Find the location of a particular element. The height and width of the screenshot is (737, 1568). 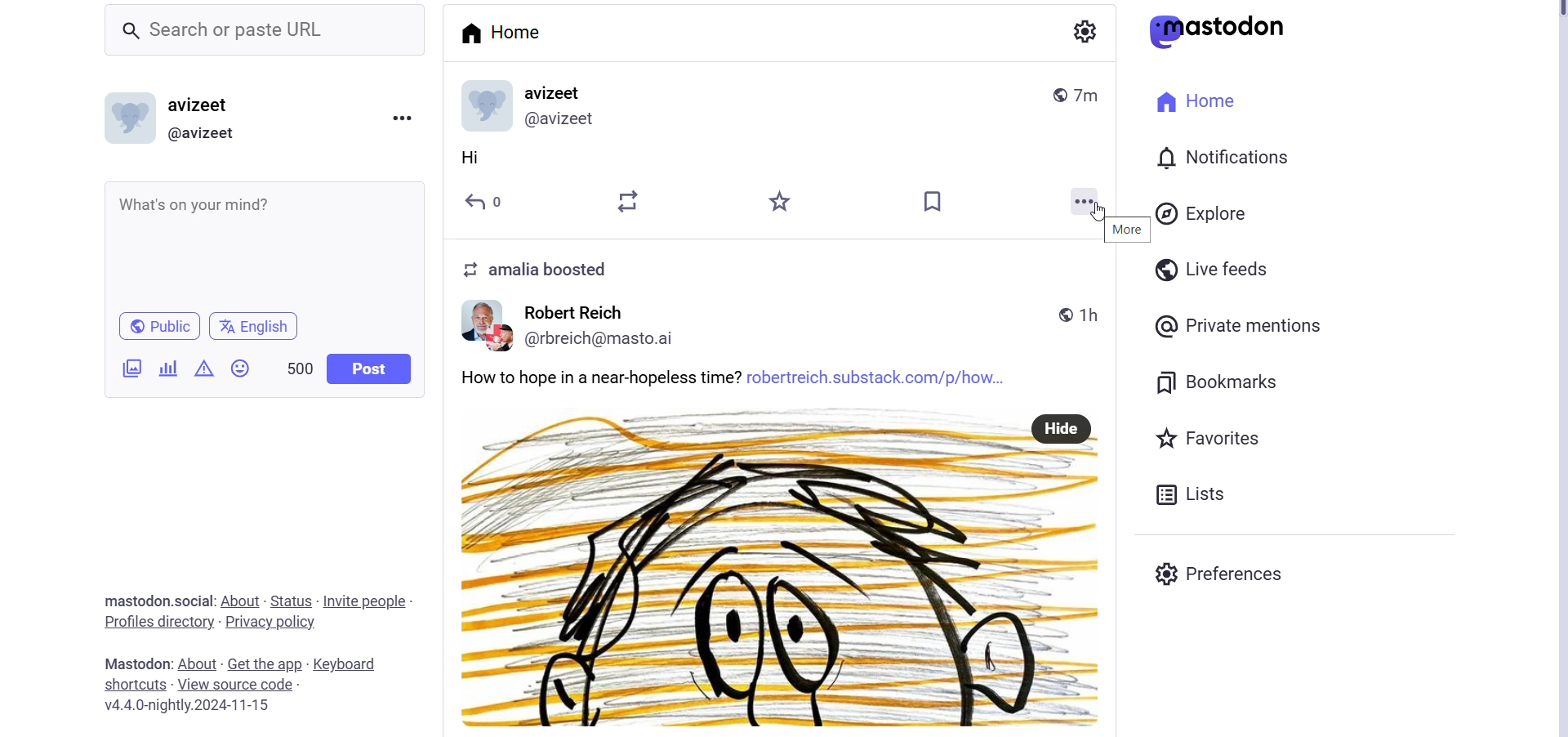

Lists is located at coordinates (1190, 492).